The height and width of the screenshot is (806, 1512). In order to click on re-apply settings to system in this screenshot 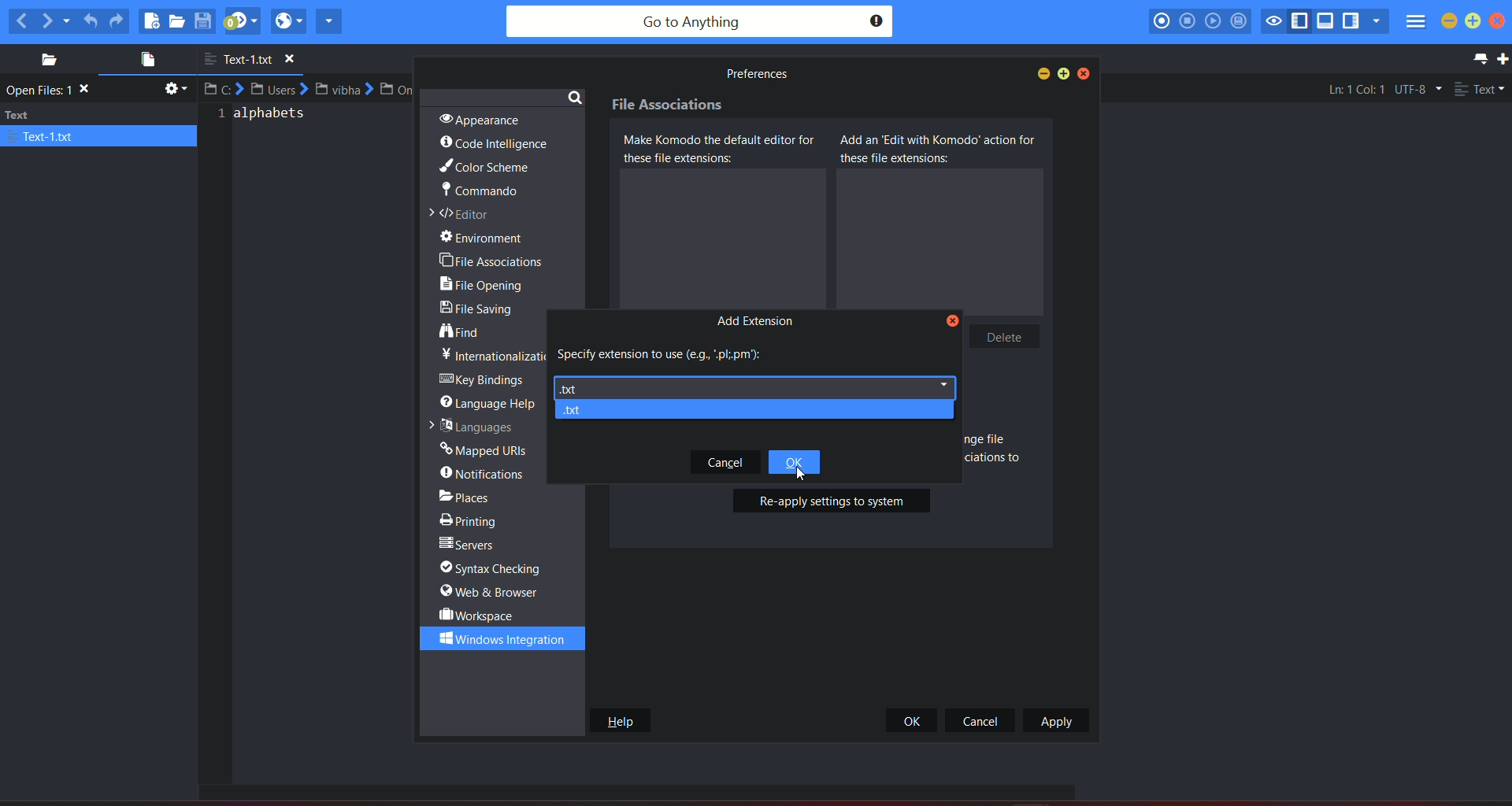, I will do `click(831, 501)`.